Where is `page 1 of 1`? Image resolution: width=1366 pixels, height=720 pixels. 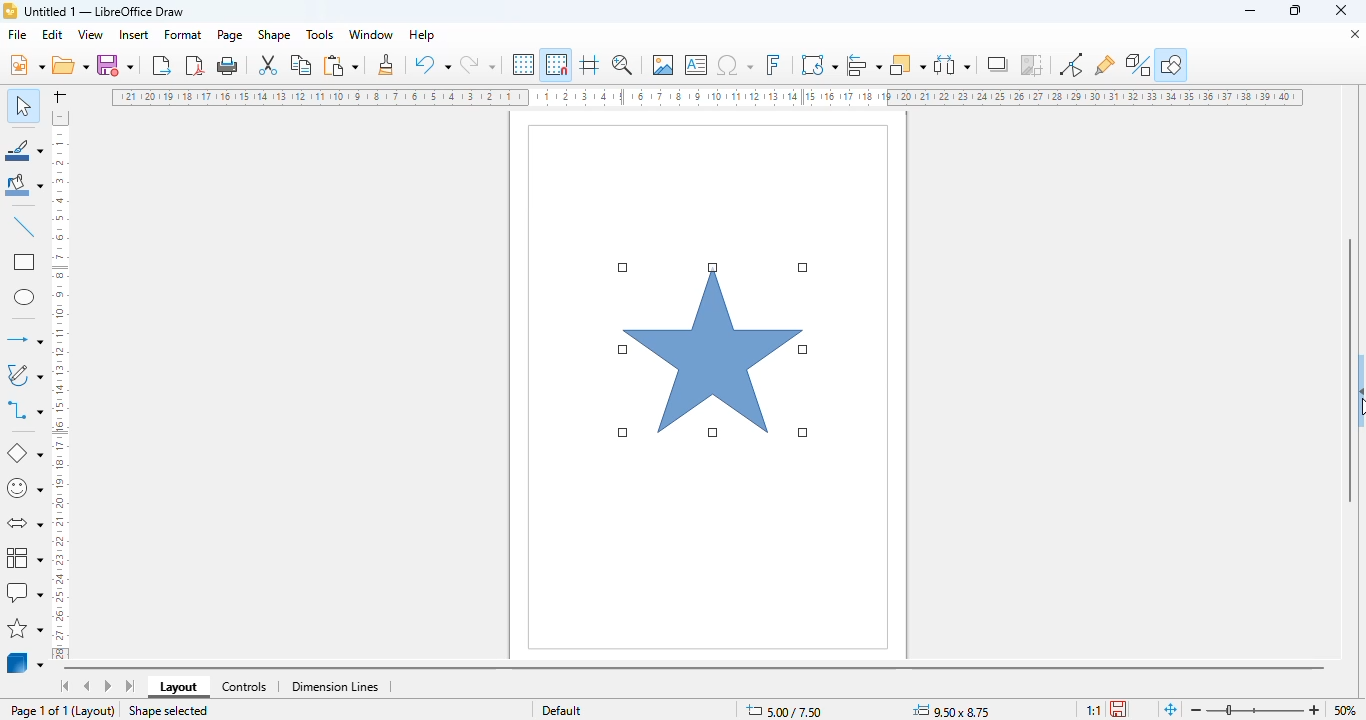
page 1 of 1 is located at coordinates (39, 710).